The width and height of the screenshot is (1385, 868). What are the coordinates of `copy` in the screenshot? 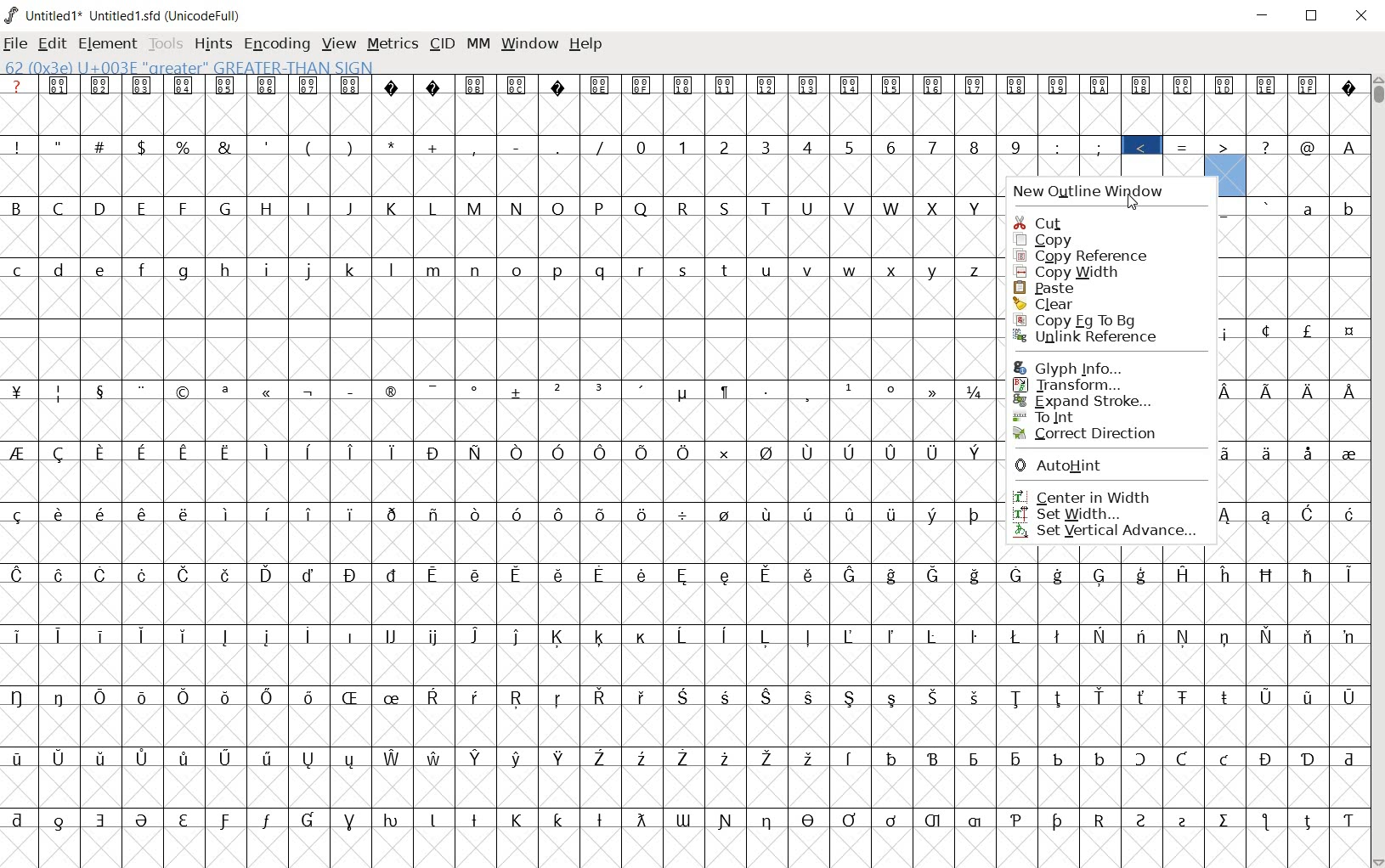 It's located at (1066, 240).